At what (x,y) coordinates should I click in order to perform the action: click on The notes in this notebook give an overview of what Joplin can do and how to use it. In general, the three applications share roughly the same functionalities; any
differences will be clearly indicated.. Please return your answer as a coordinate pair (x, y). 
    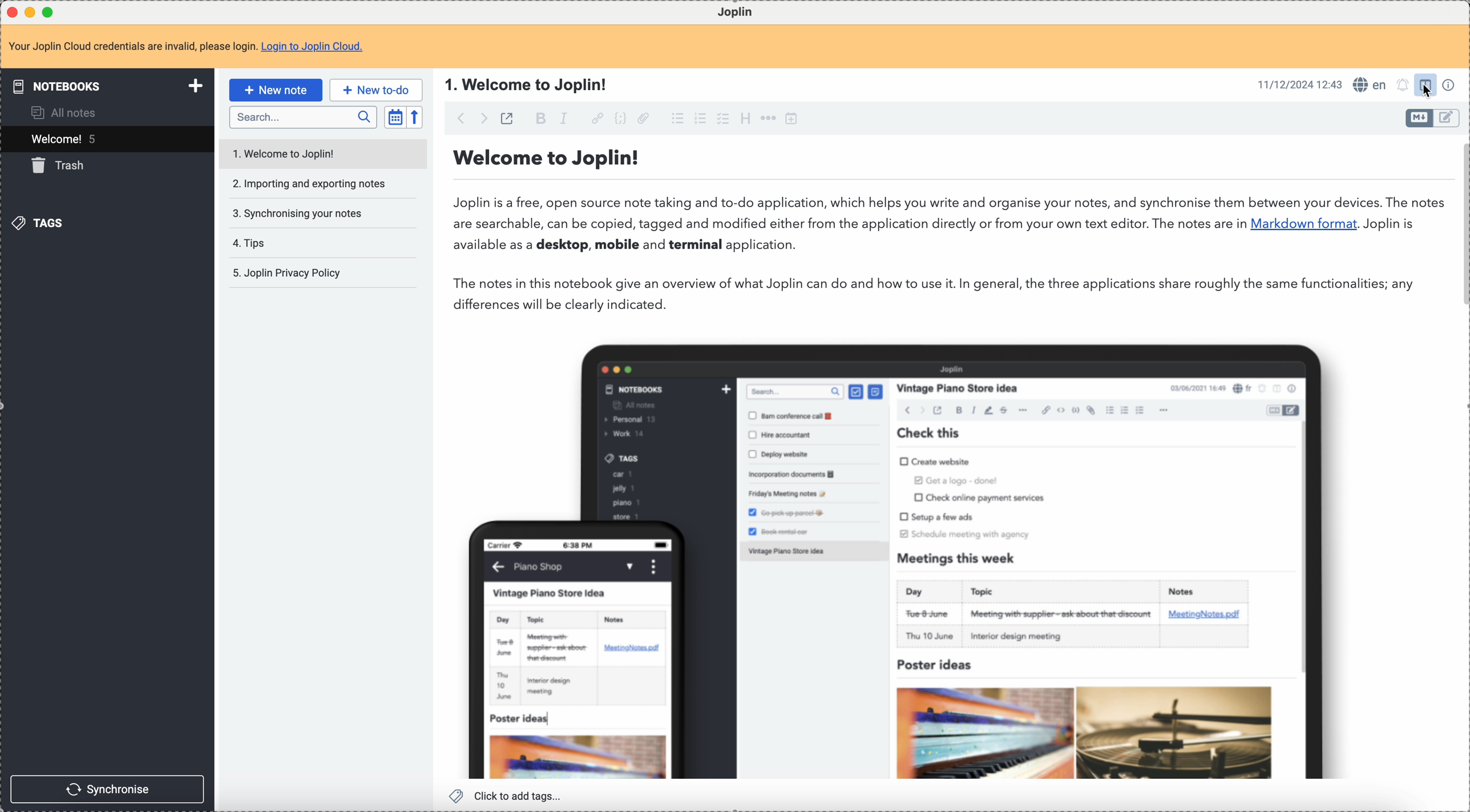
    Looking at the image, I should click on (938, 294).